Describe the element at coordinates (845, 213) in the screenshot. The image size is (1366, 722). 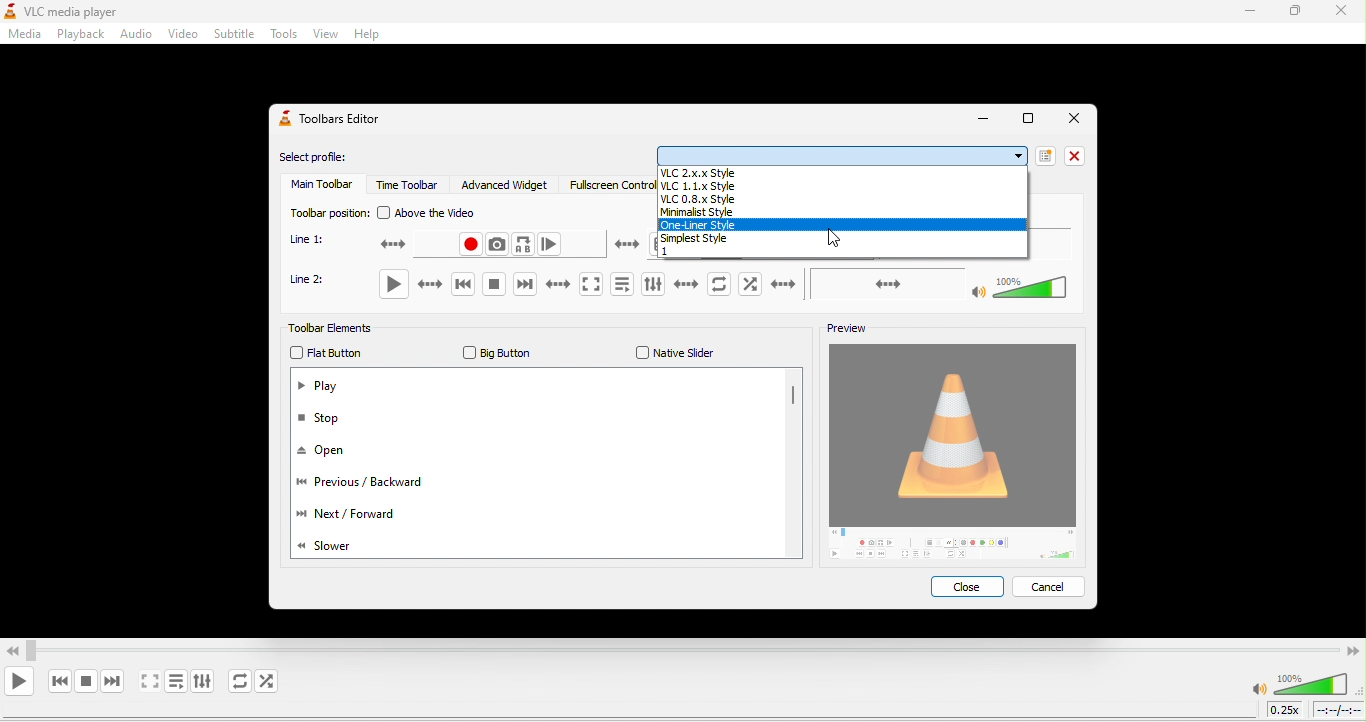
I see `minimal style` at that location.